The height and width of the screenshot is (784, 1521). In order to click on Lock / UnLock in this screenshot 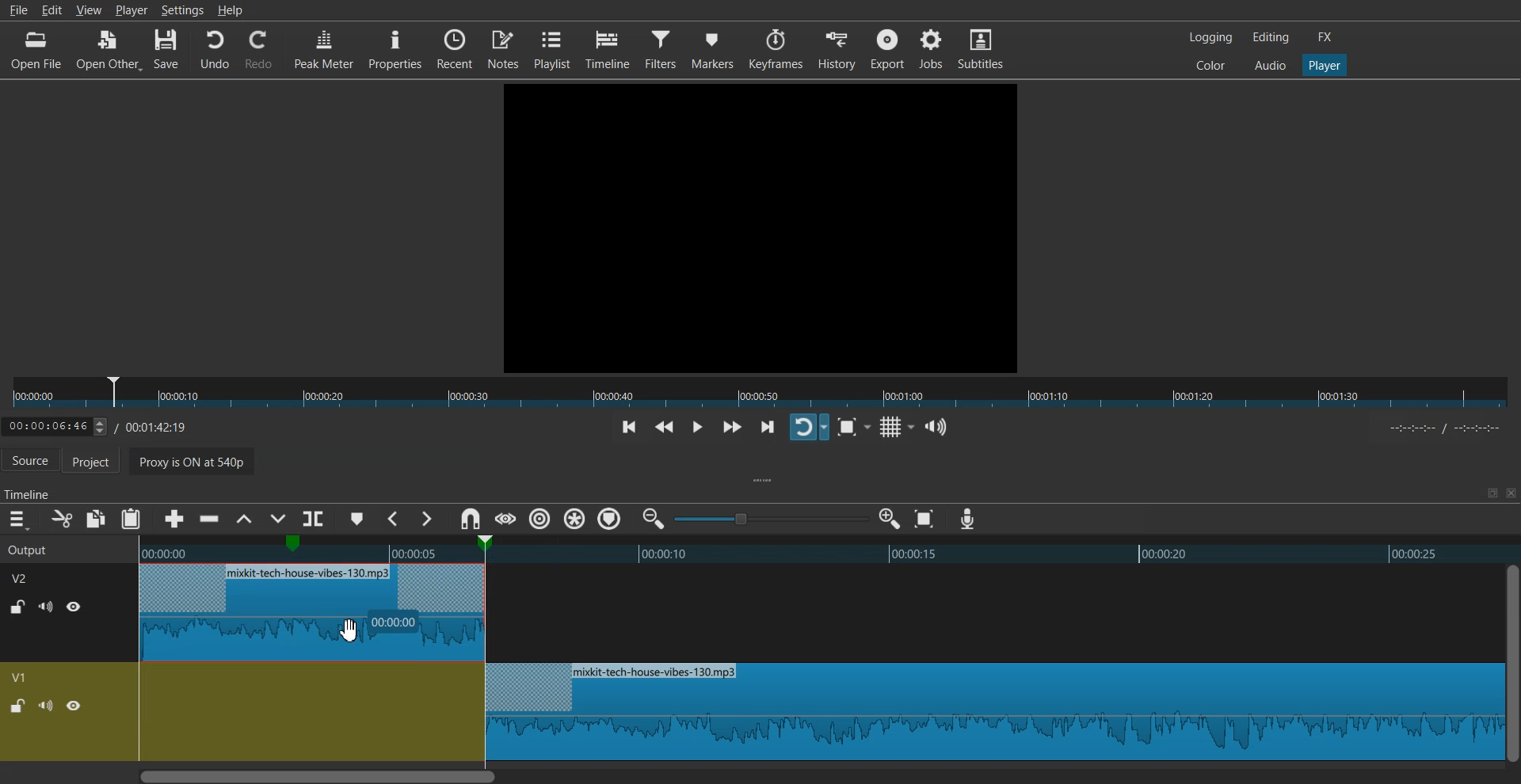, I will do `click(17, 706)`.